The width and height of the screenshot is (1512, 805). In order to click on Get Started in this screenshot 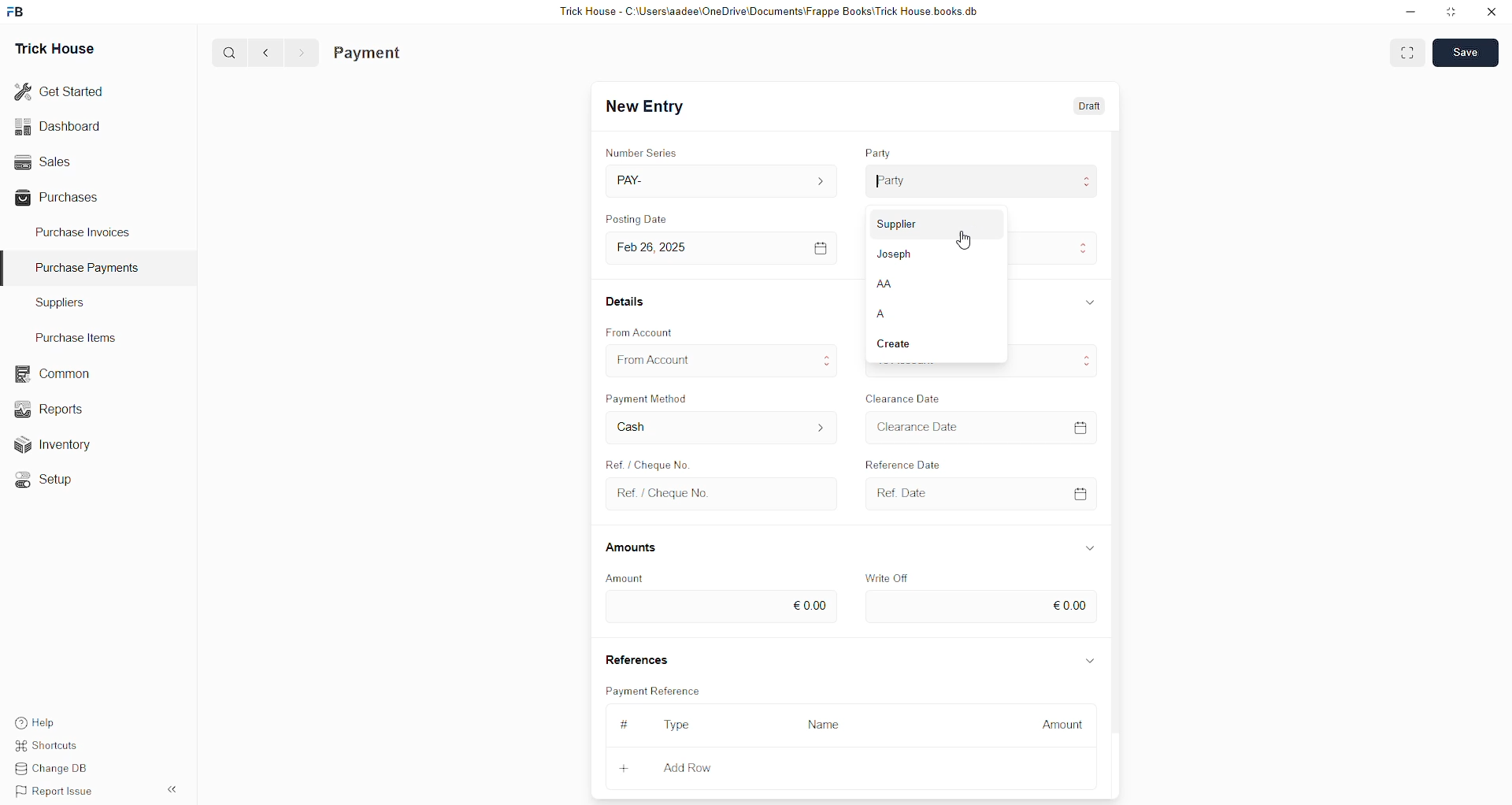, I will do `click(62, 90)`.